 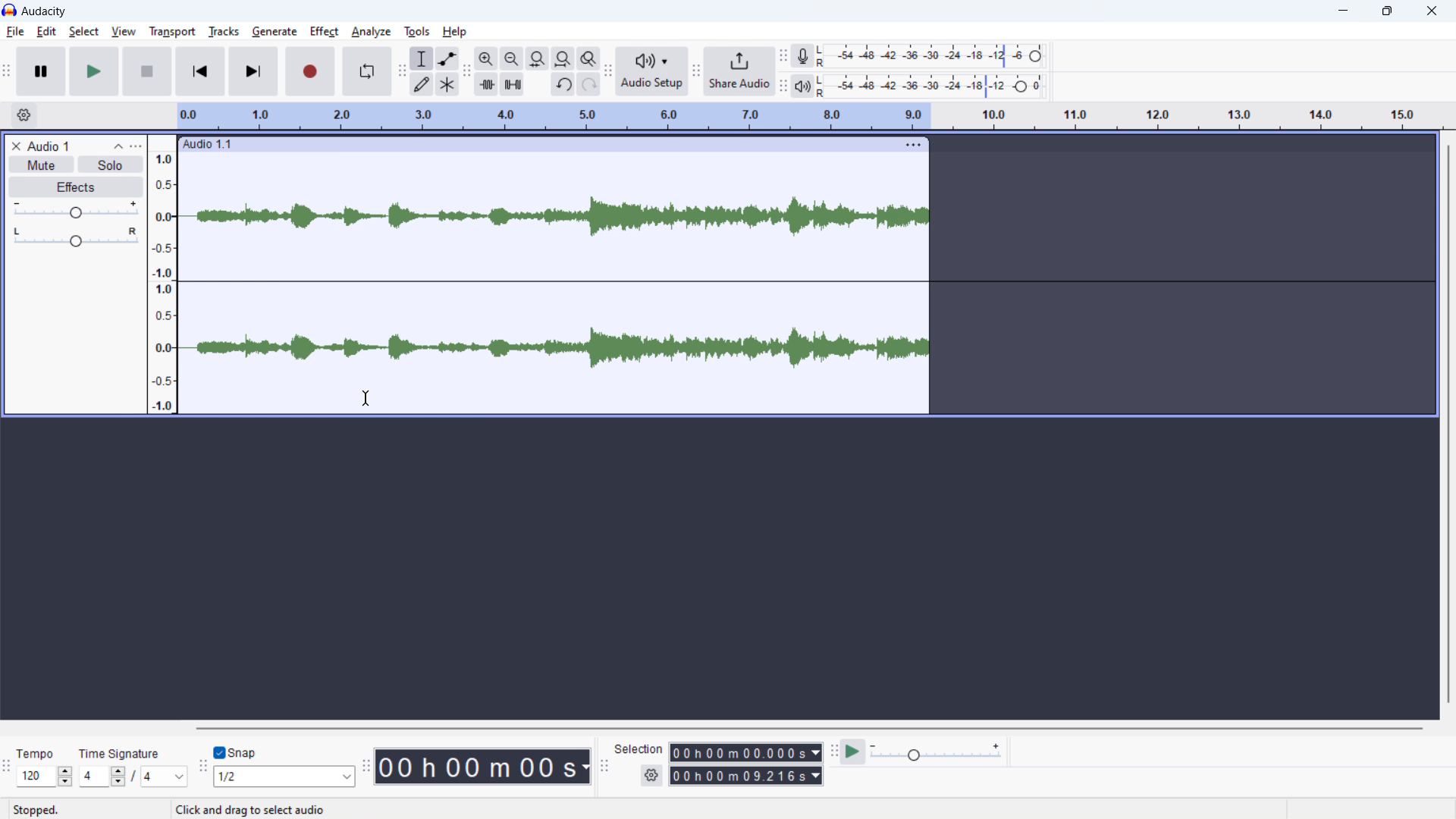 I want to click on effects, so click(x=77, y=187).